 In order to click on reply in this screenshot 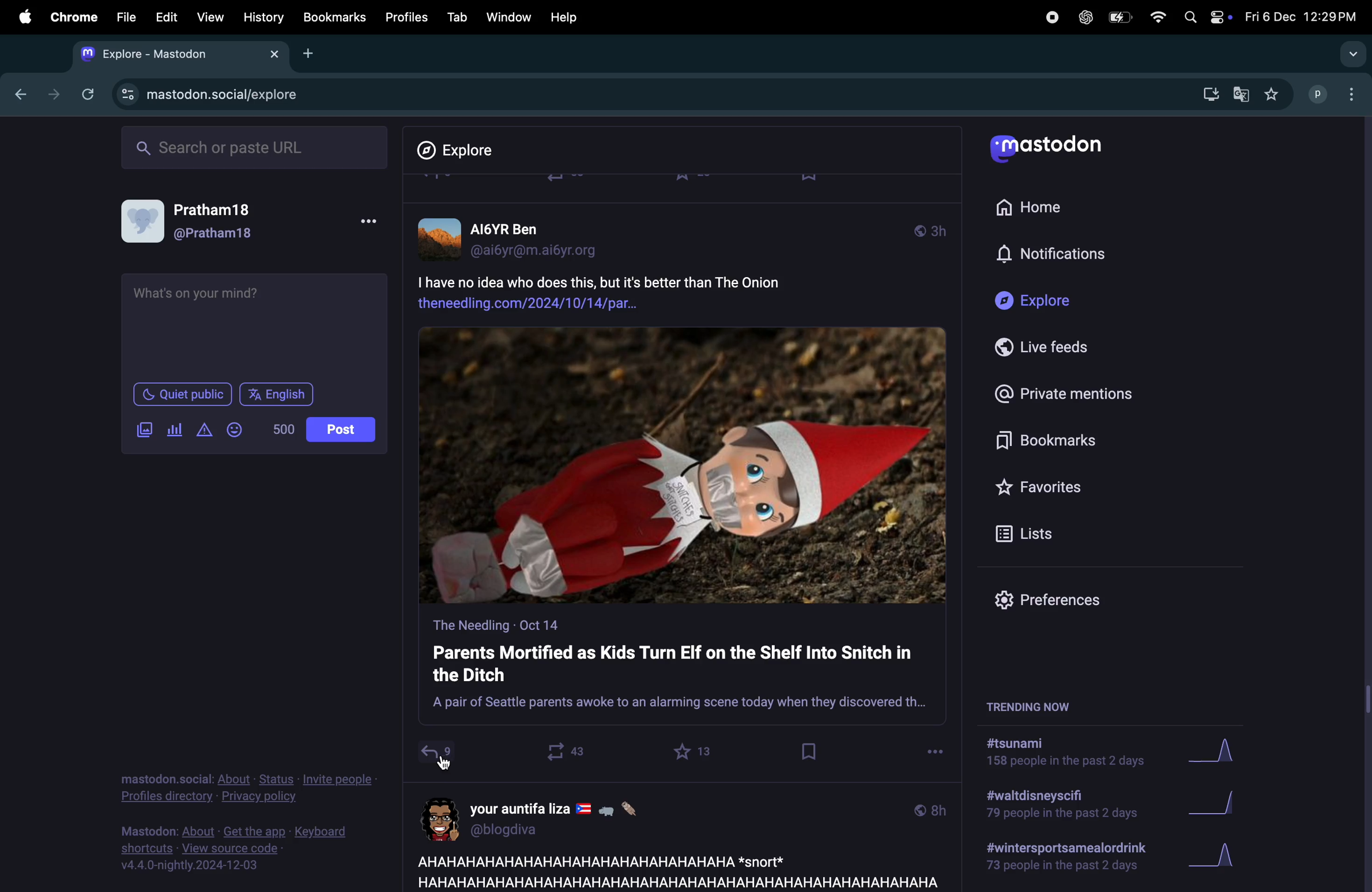, I will do `click(436, 755)`.